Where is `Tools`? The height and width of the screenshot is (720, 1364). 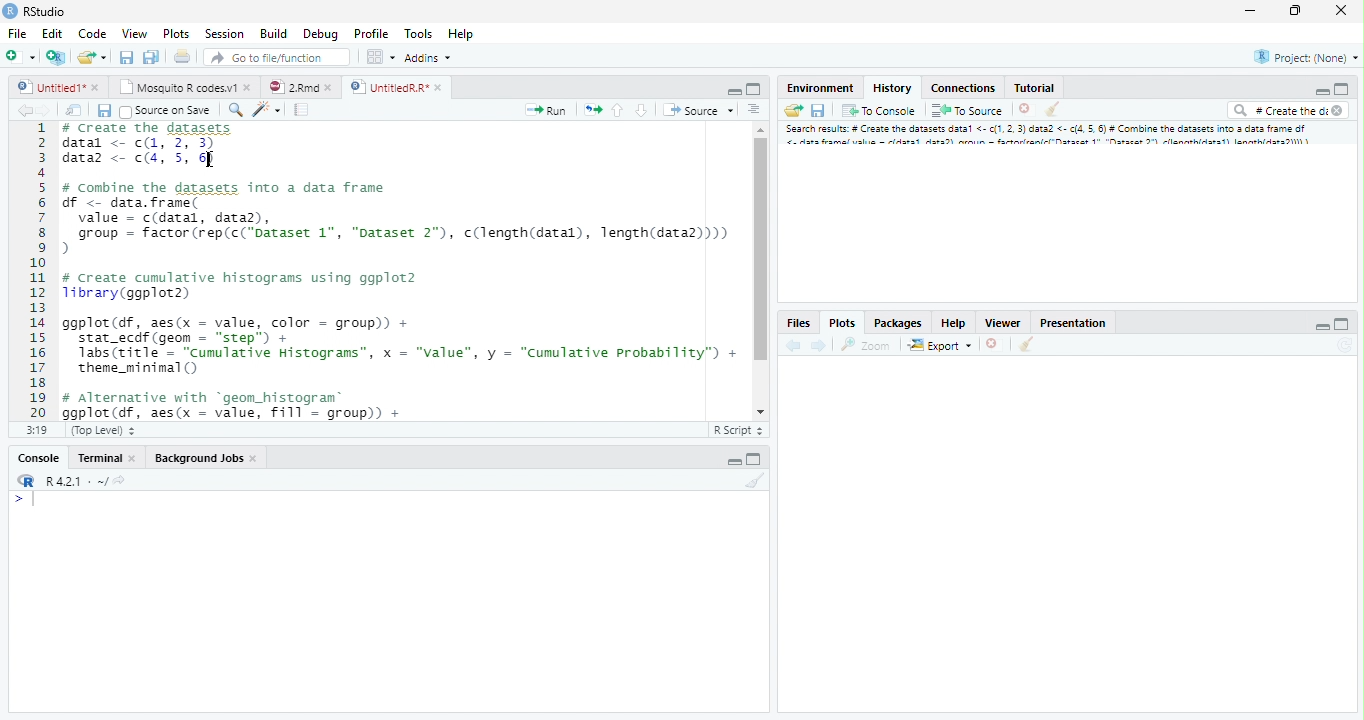
Tools is located at coordinates (420, 35).